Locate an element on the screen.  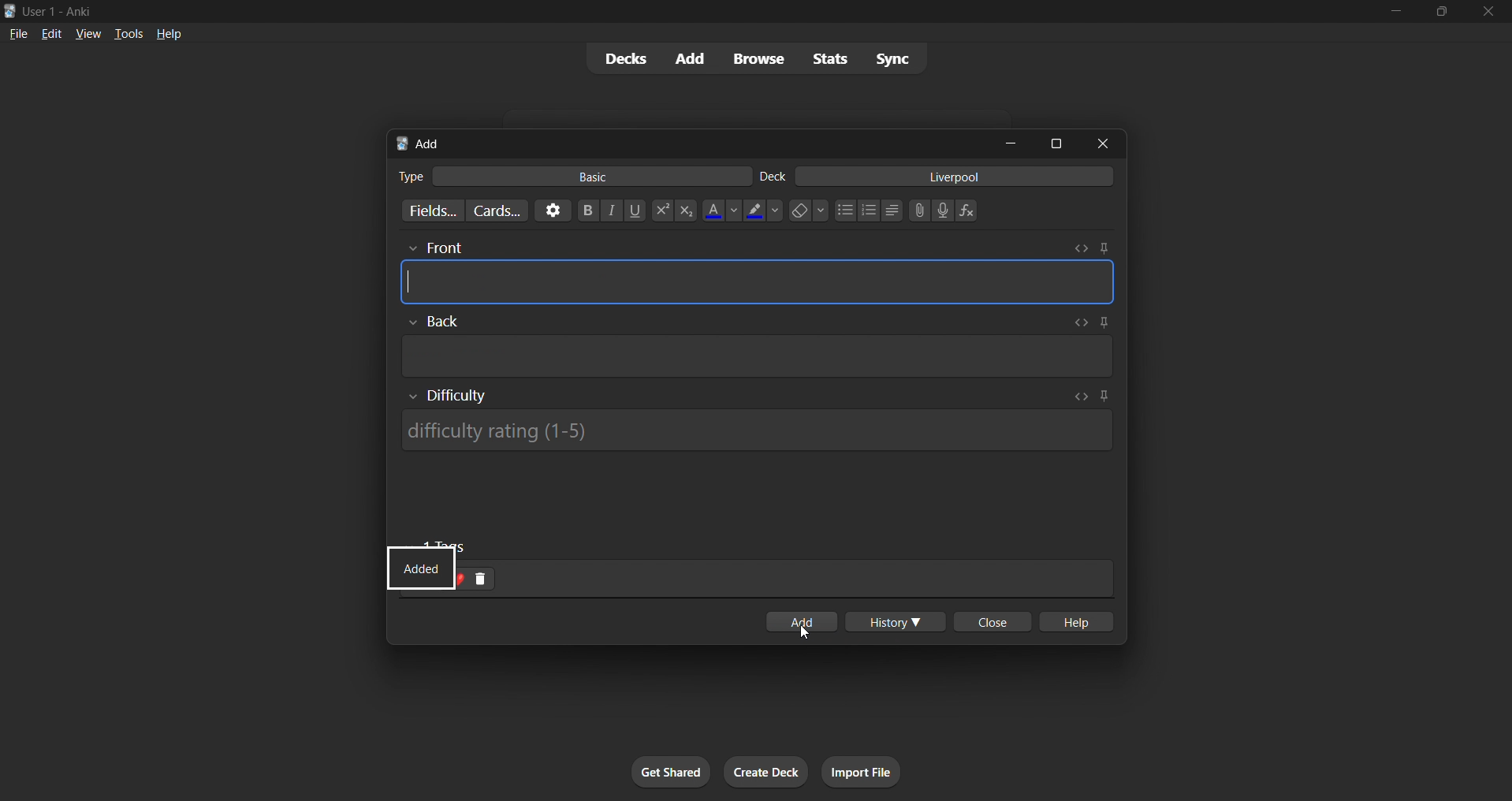
card type input box is located at coordinates (565, 173).